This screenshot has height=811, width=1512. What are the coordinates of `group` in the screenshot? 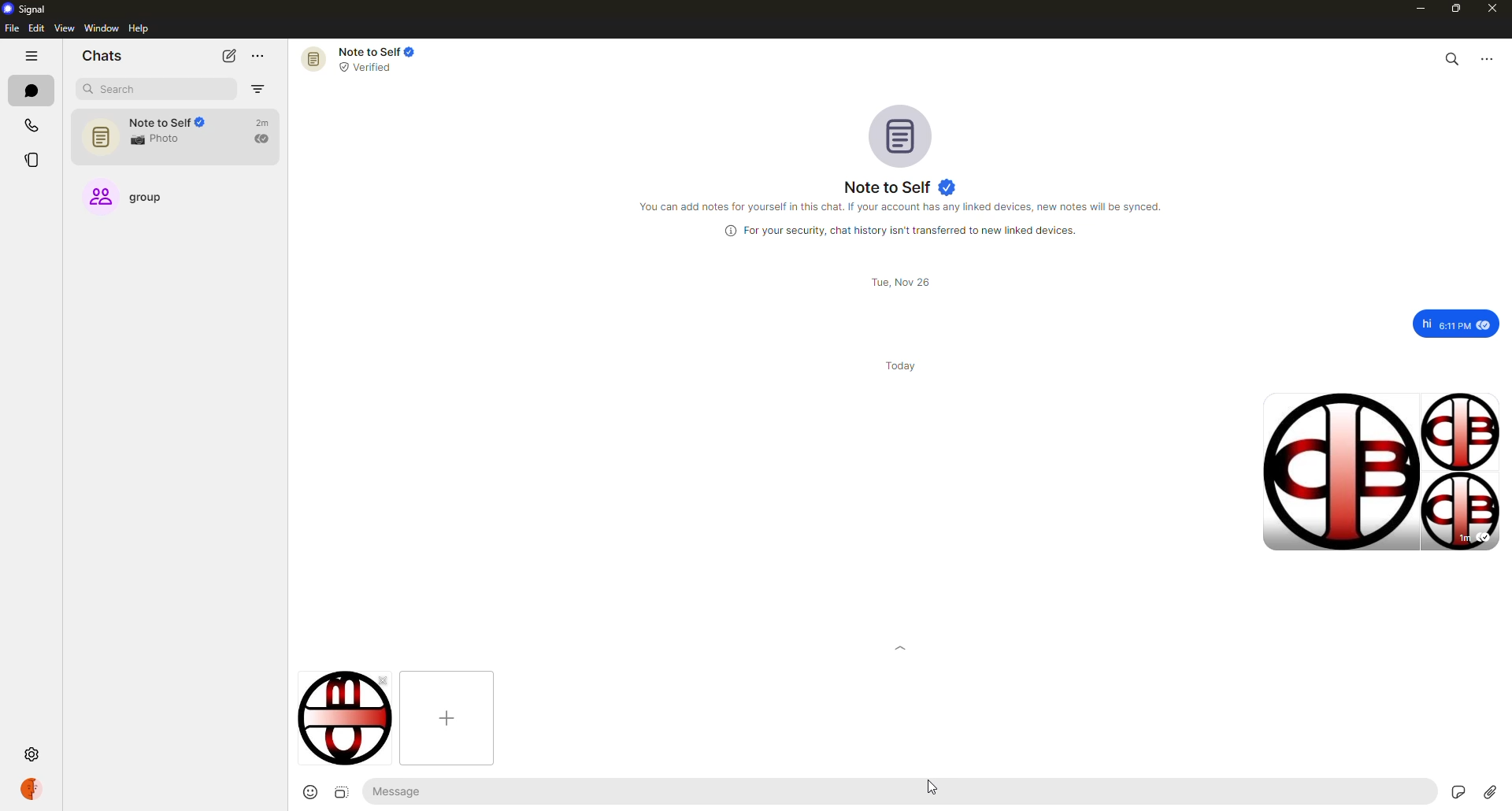 It's located at (139, 200).